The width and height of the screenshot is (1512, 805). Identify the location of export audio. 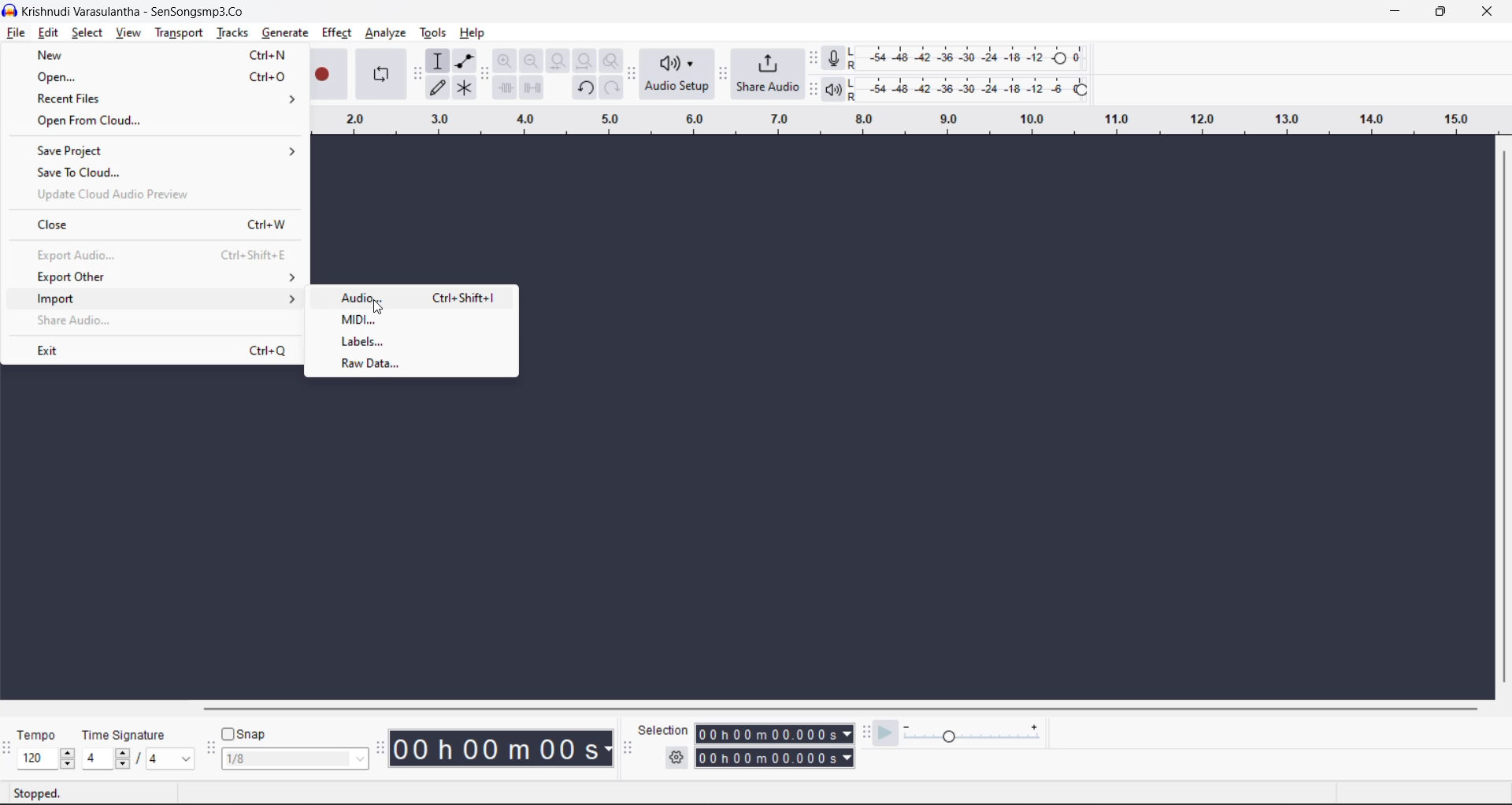
(163, 254).